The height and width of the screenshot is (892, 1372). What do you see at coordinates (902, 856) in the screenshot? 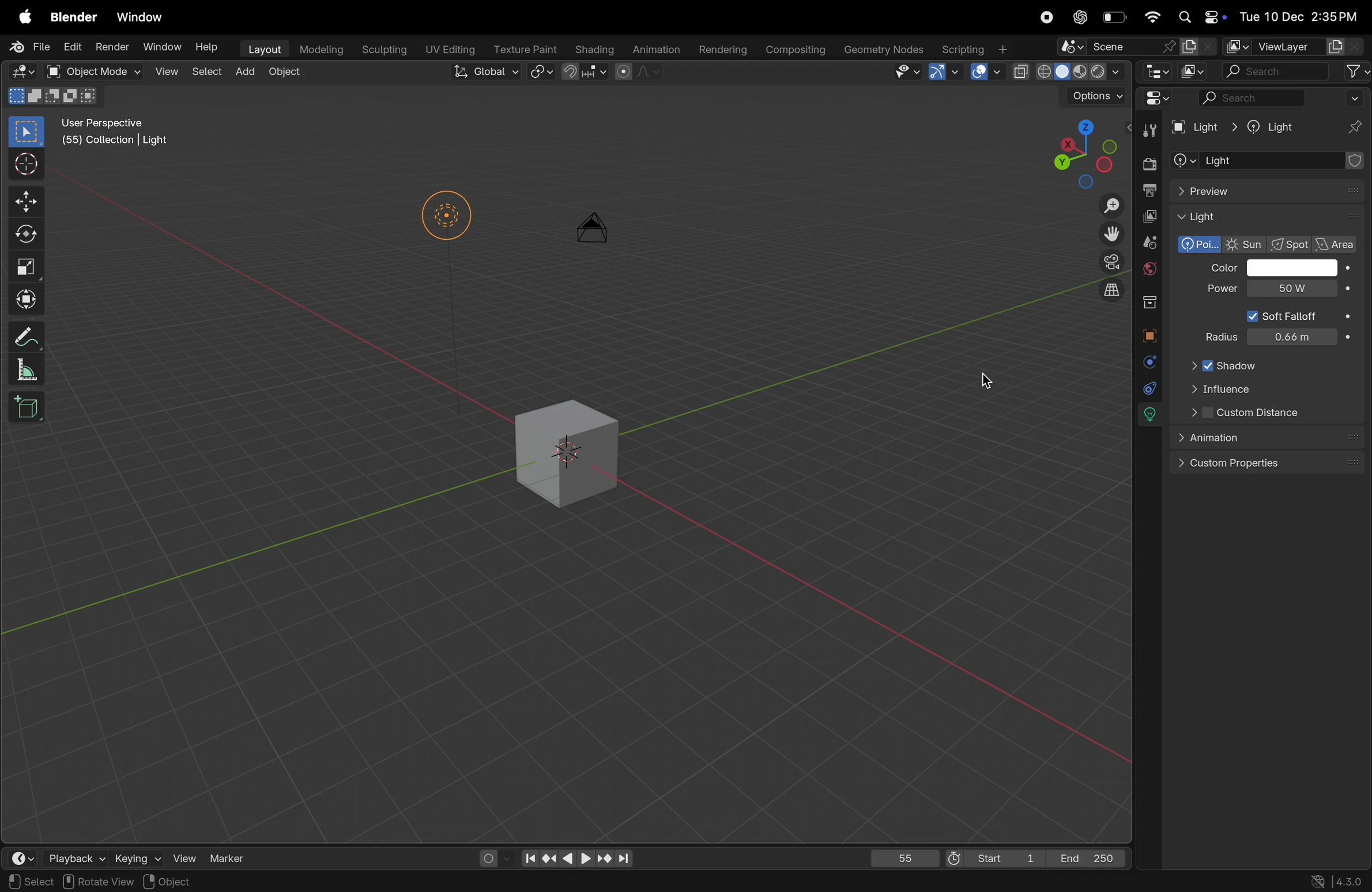
I see `55` at bounding box center [902, 856].